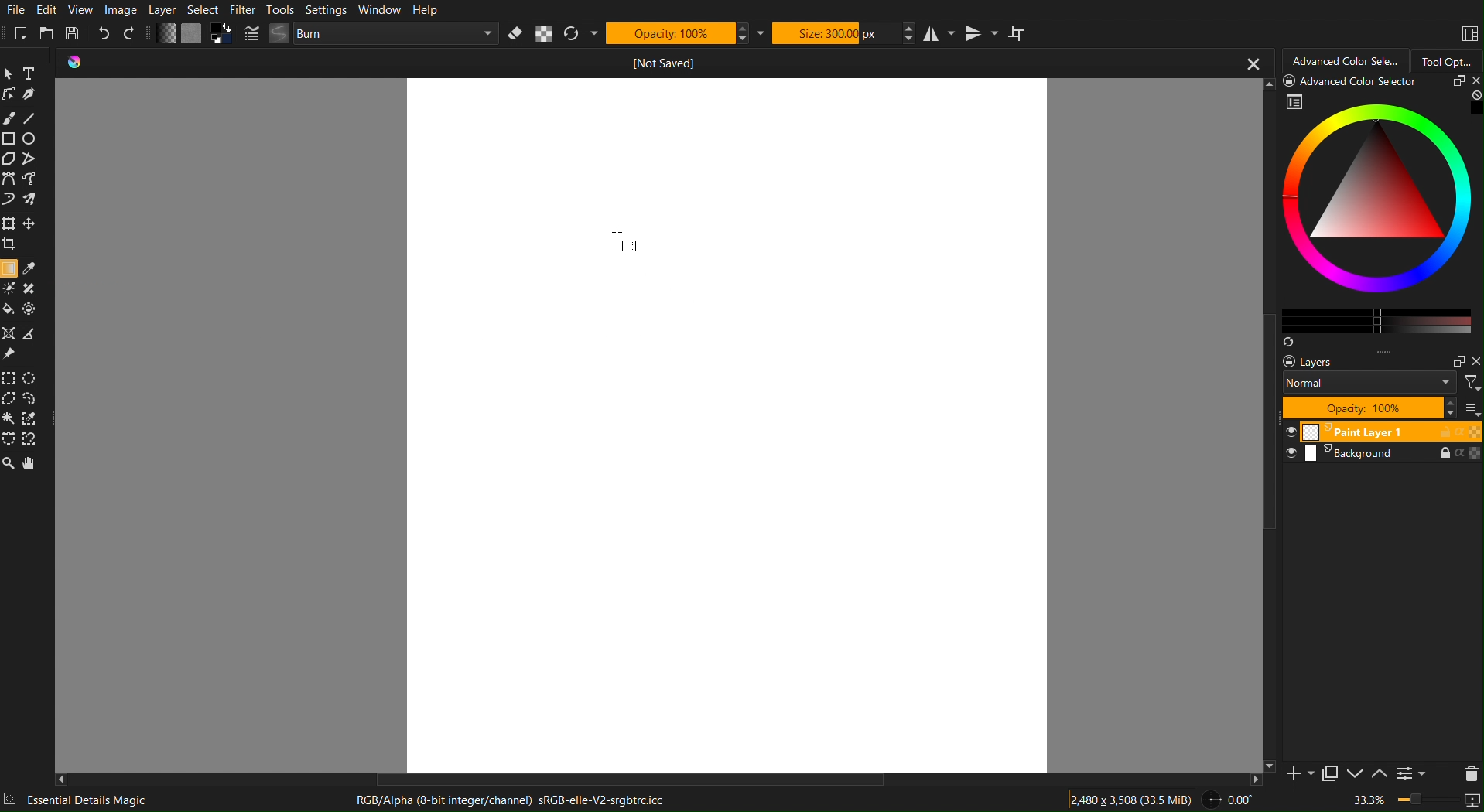 The width and height of the screenshot is (1484, 812). I want to click on Opacity, so click(676, 32).